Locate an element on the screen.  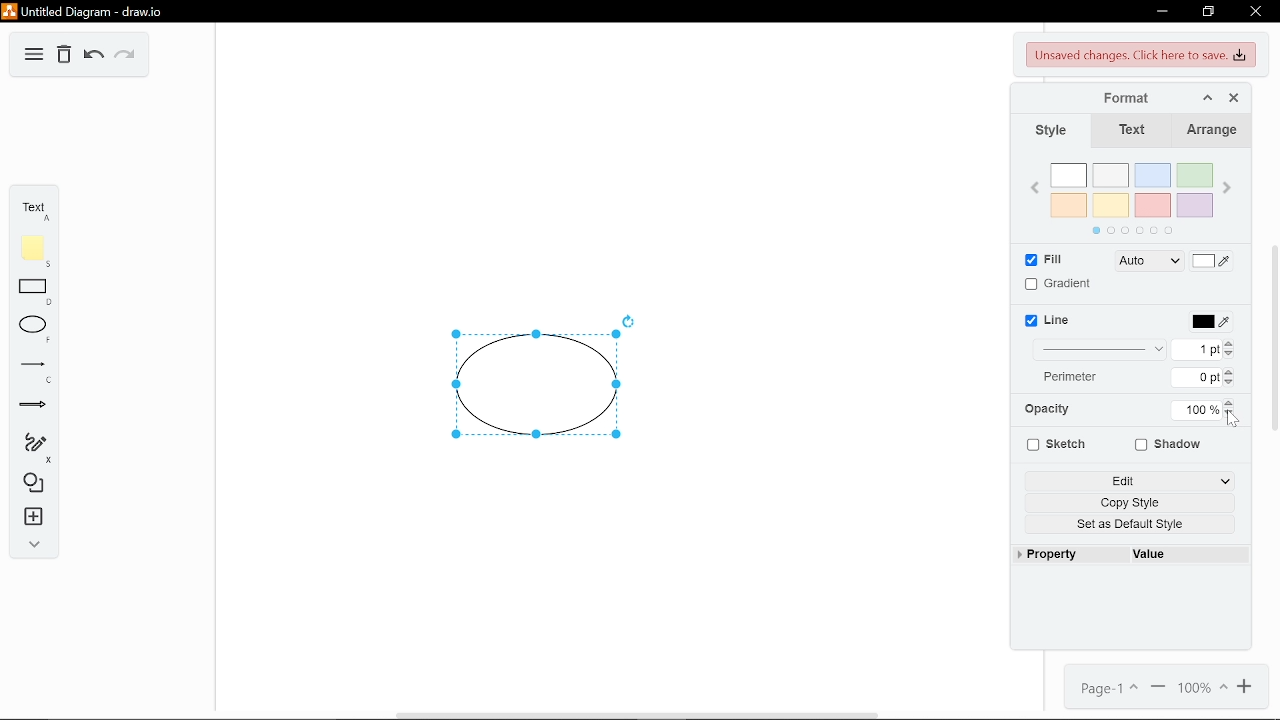
Add note is located at coordinates (34, 247).